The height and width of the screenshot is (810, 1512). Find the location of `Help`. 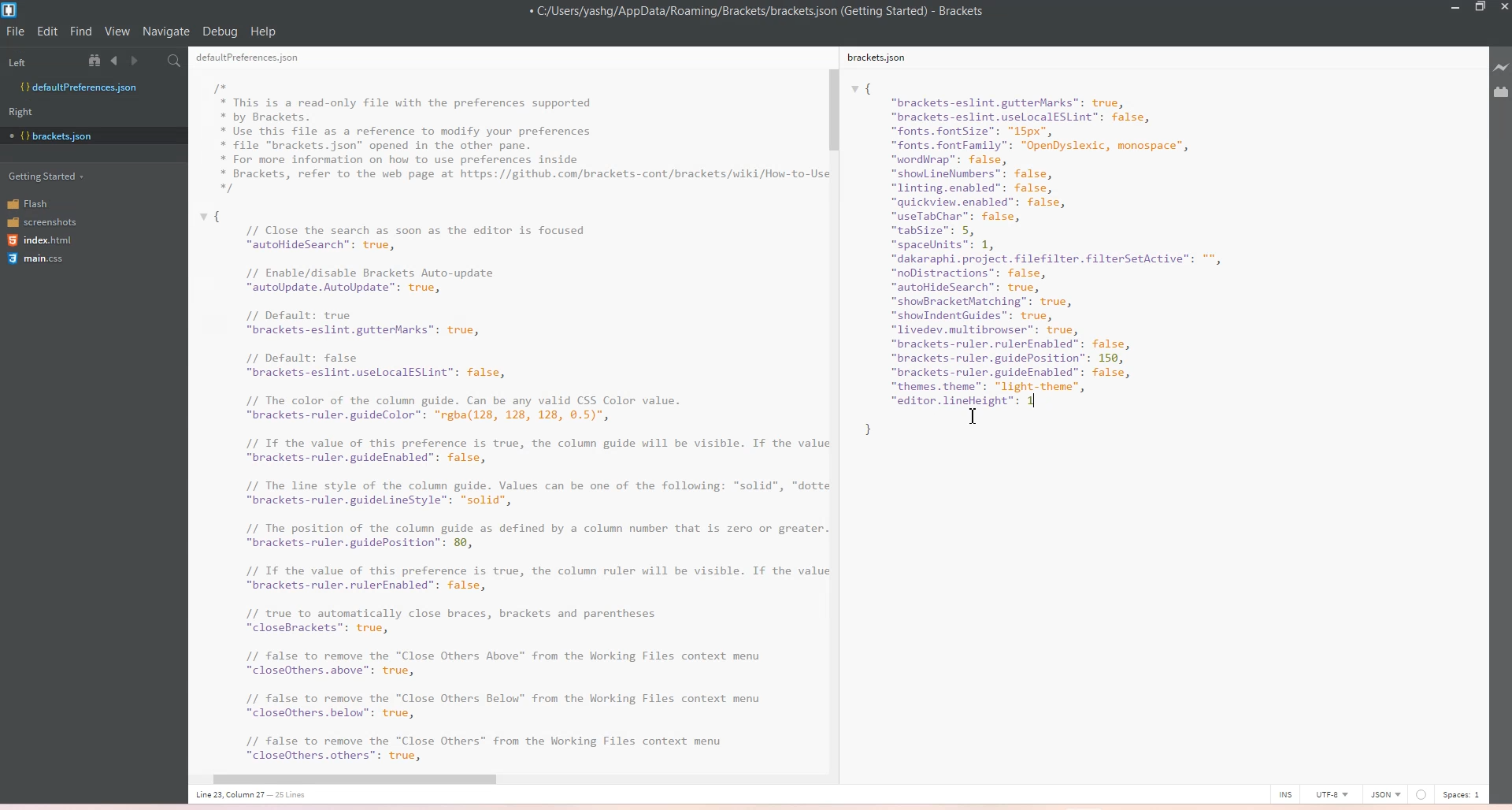

Help is located at coordinates (263, 32).